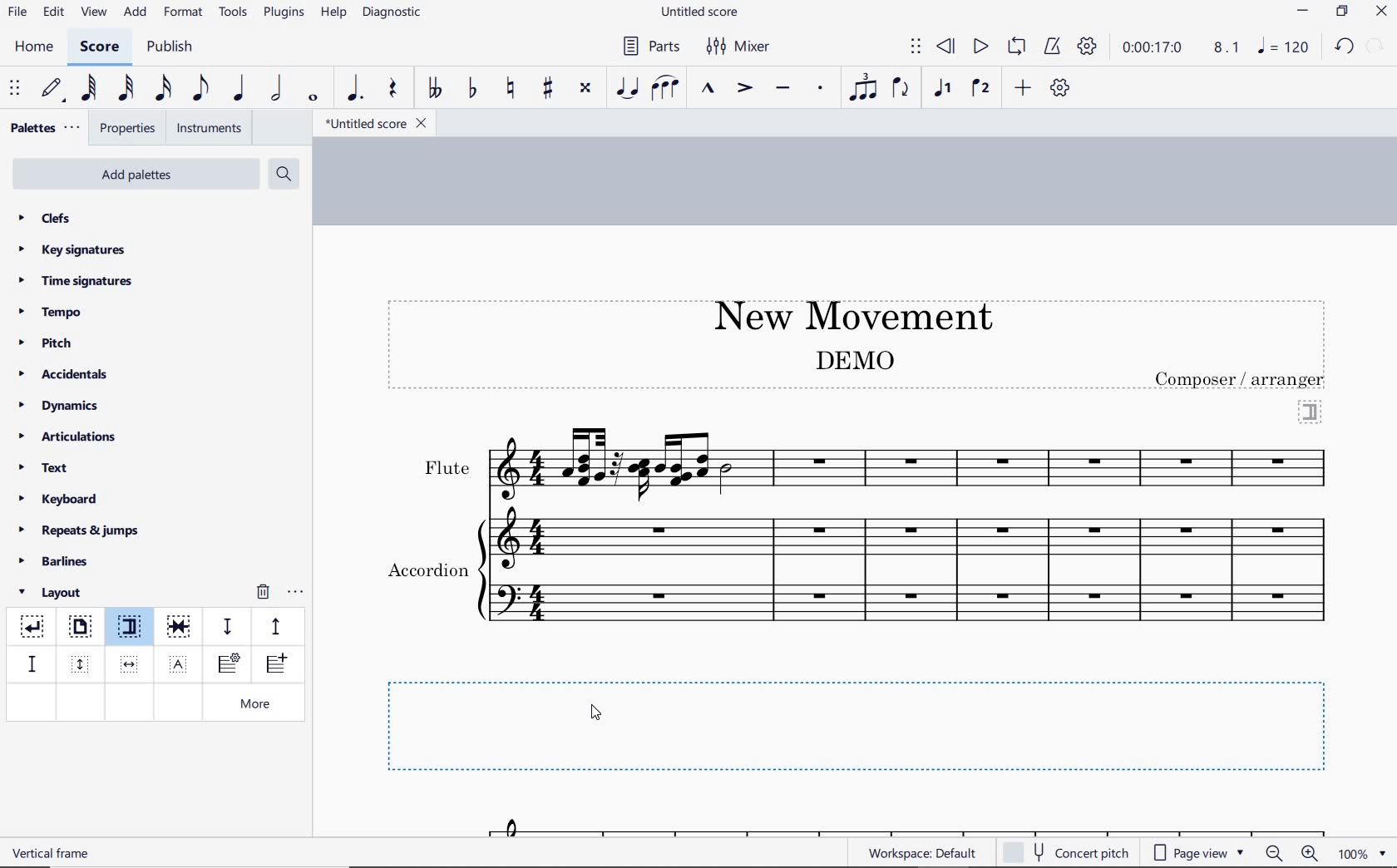 This screenshot has width=1397, height=868. I want to click on select to move, so click(17, 89).